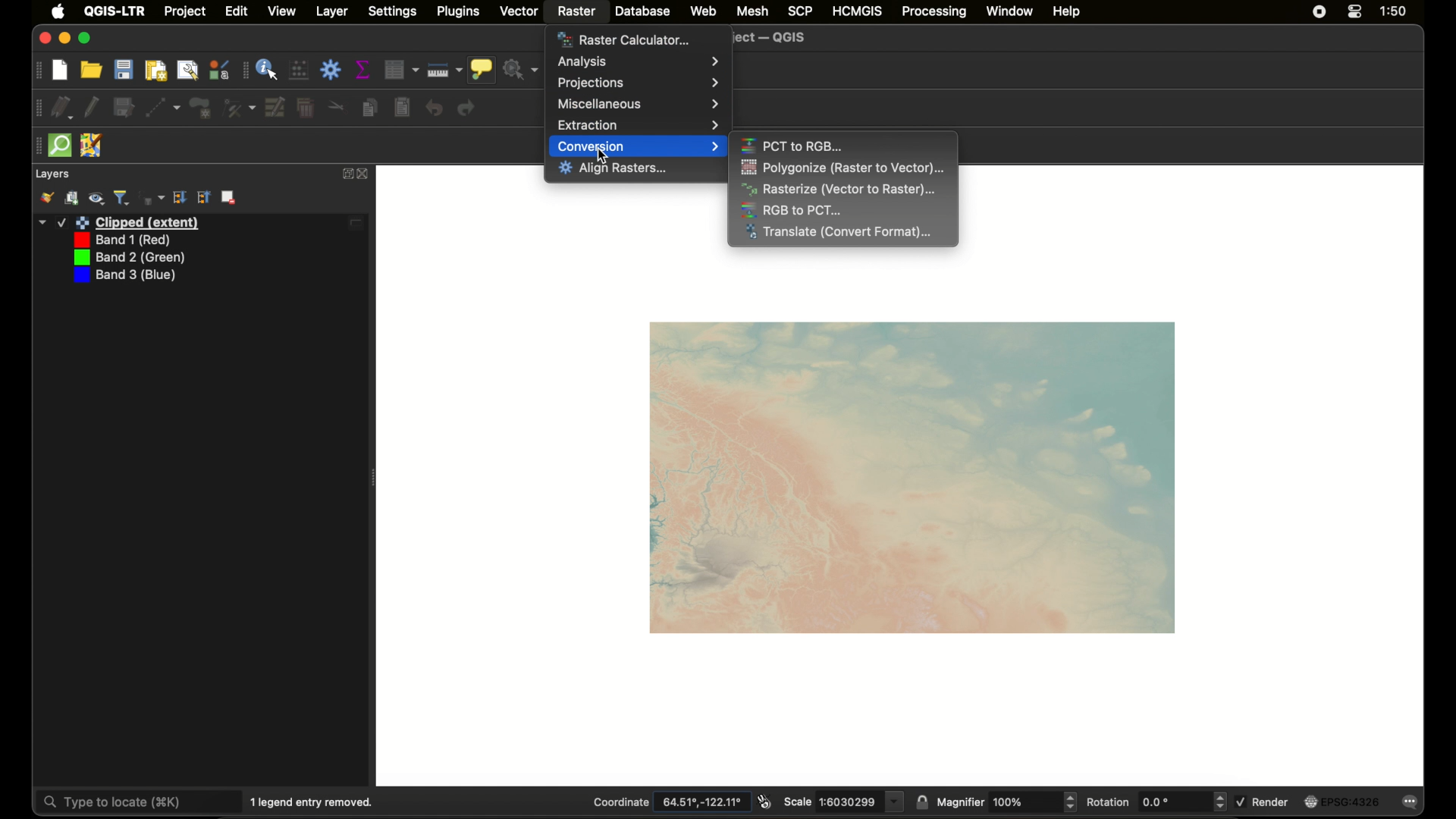  I want to click on polygon feature, so click(200, 108).